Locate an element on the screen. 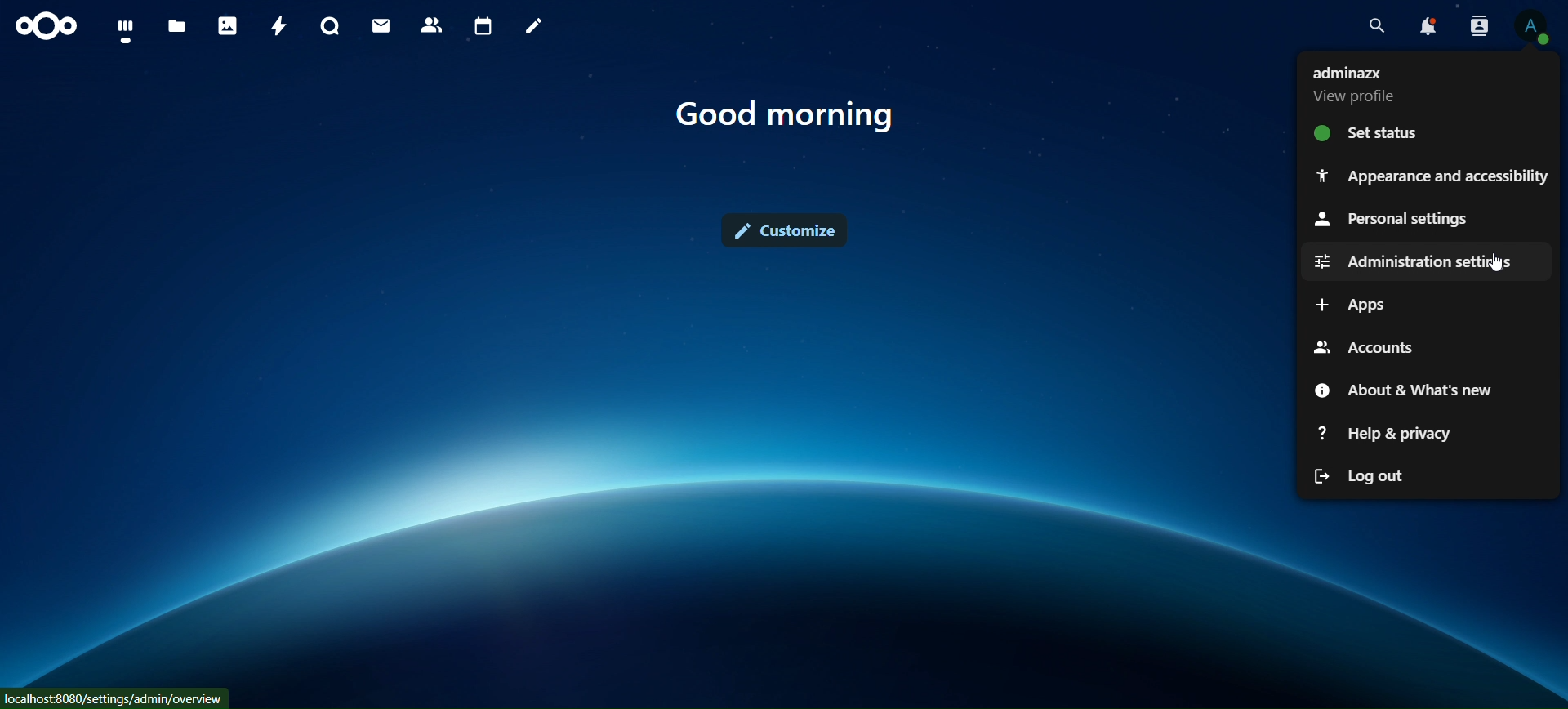 This screenshot has height=709, width=1568. activity is located at coordinates (279, 23).